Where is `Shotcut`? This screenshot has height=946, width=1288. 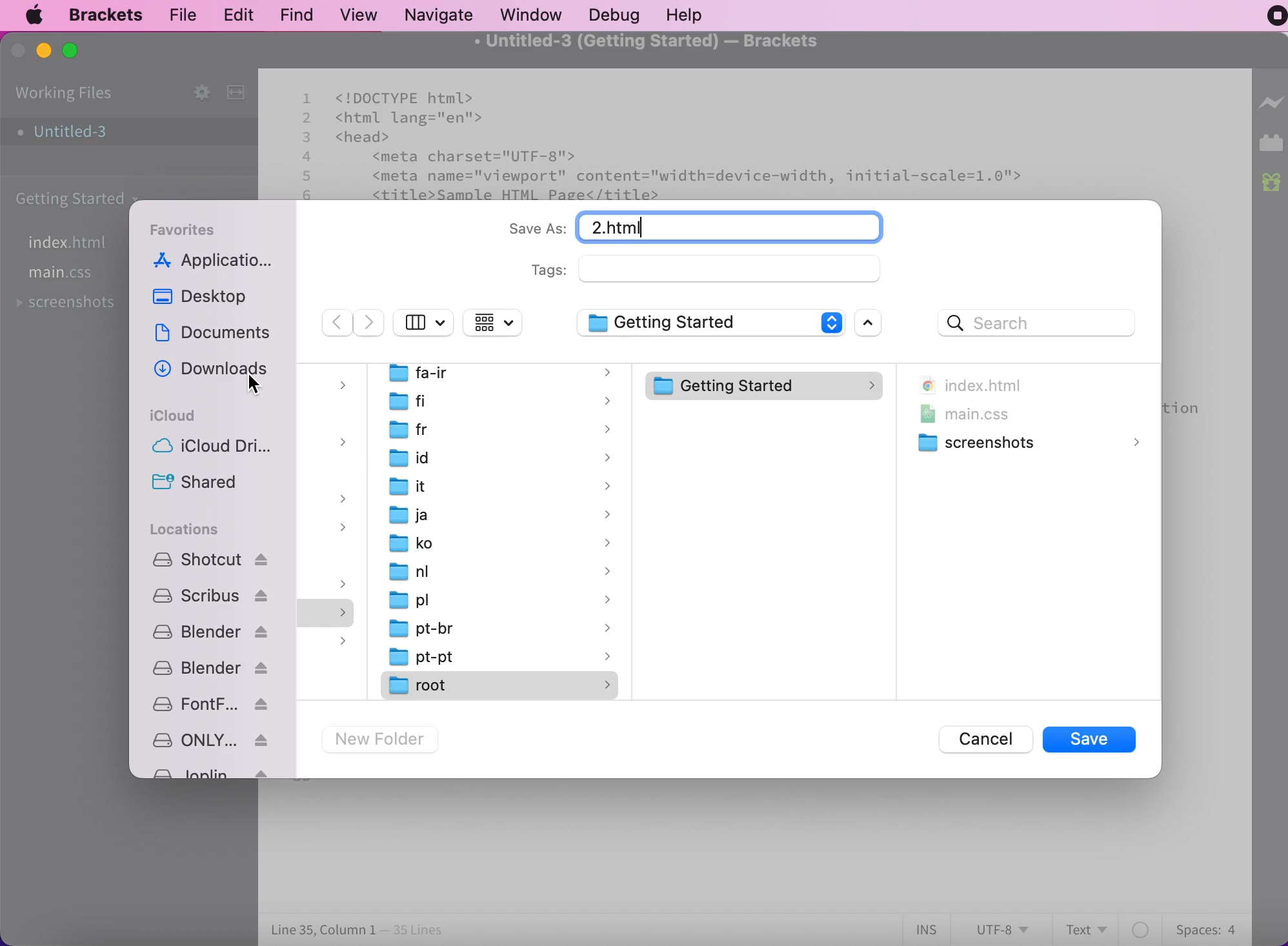 Shotcut is located at coordinates (209, 562).